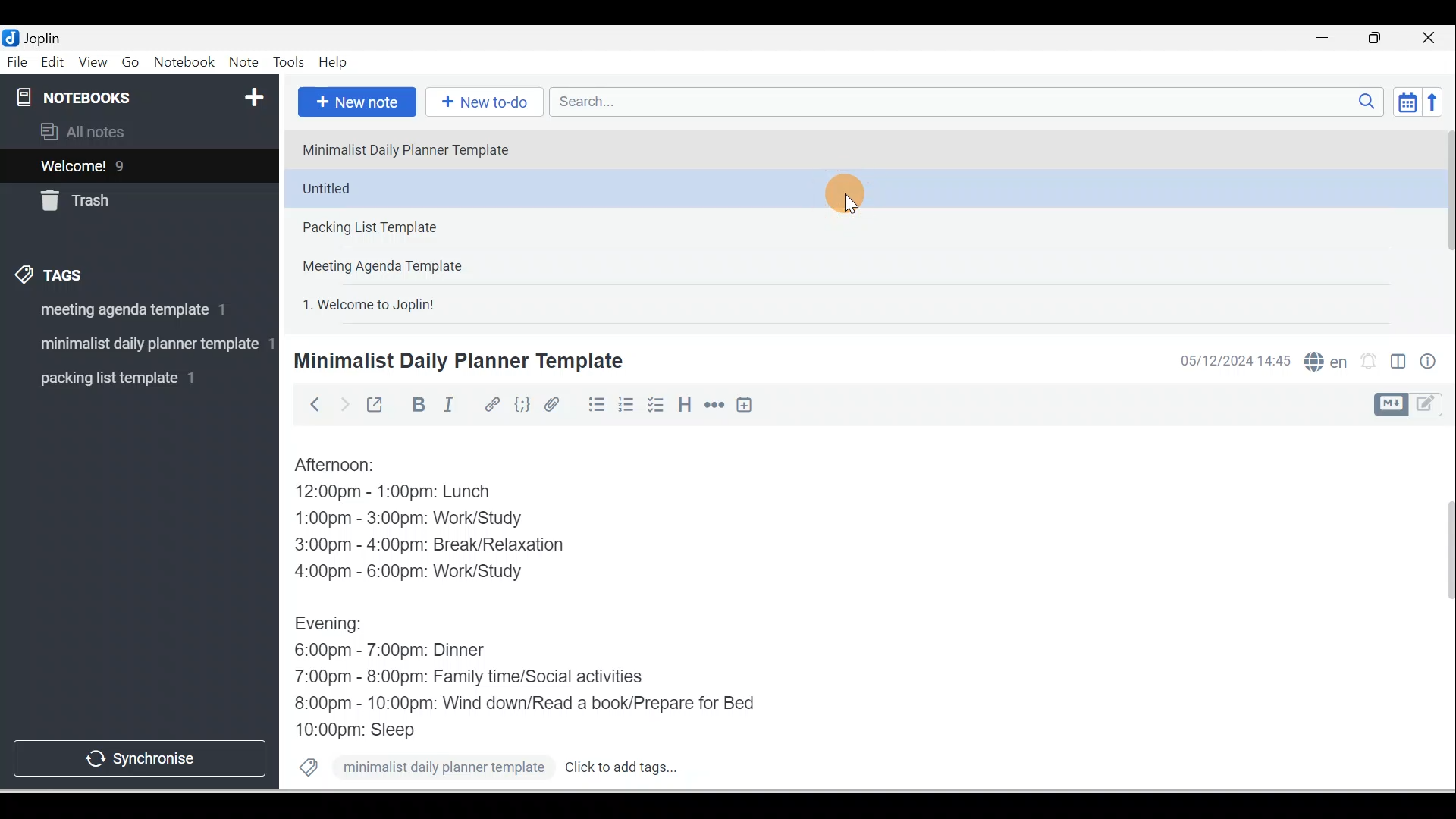 This screenshot has height=819, width=1456. Describe the element at coordinates (744, 406) in the screenshot. I see `Insert time` at that location.